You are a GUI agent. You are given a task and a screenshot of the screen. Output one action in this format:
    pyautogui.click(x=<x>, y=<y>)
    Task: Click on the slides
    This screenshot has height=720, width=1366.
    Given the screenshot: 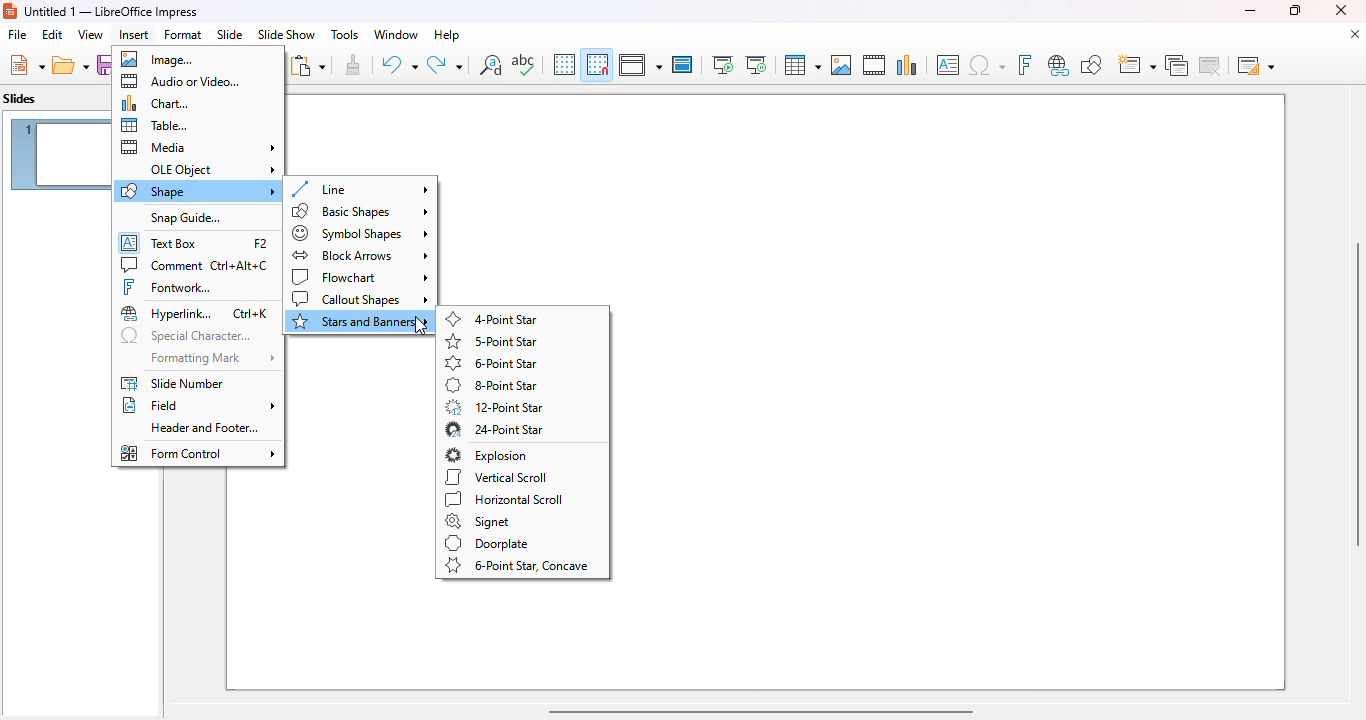 What is the action you would take?
    pyautogui.click(x=20, y=99)
    